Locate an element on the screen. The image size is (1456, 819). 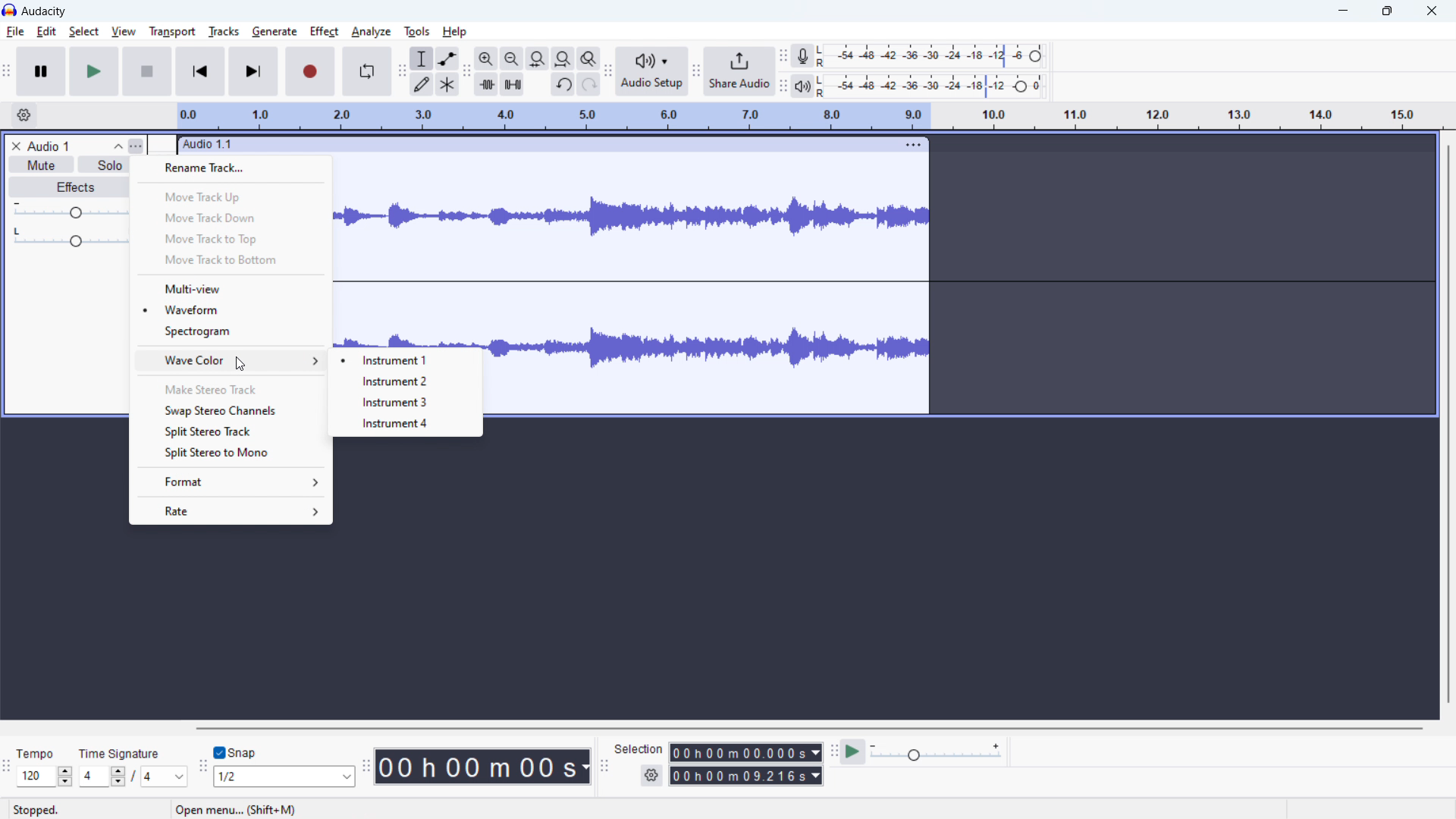
Stopped is located at coordinates (36, 809).